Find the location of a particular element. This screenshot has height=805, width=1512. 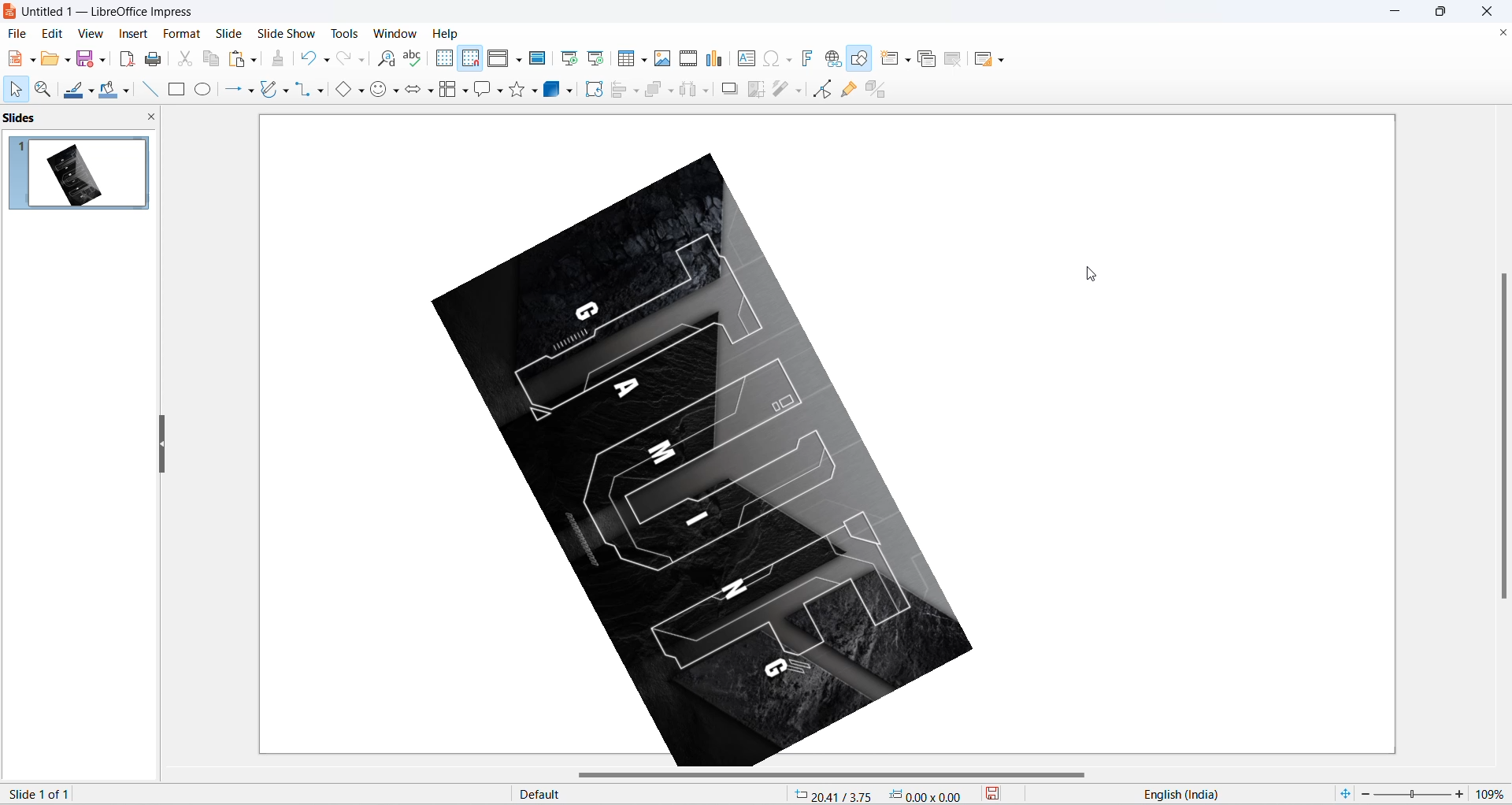

slide show is located at coordinates (289, 32).